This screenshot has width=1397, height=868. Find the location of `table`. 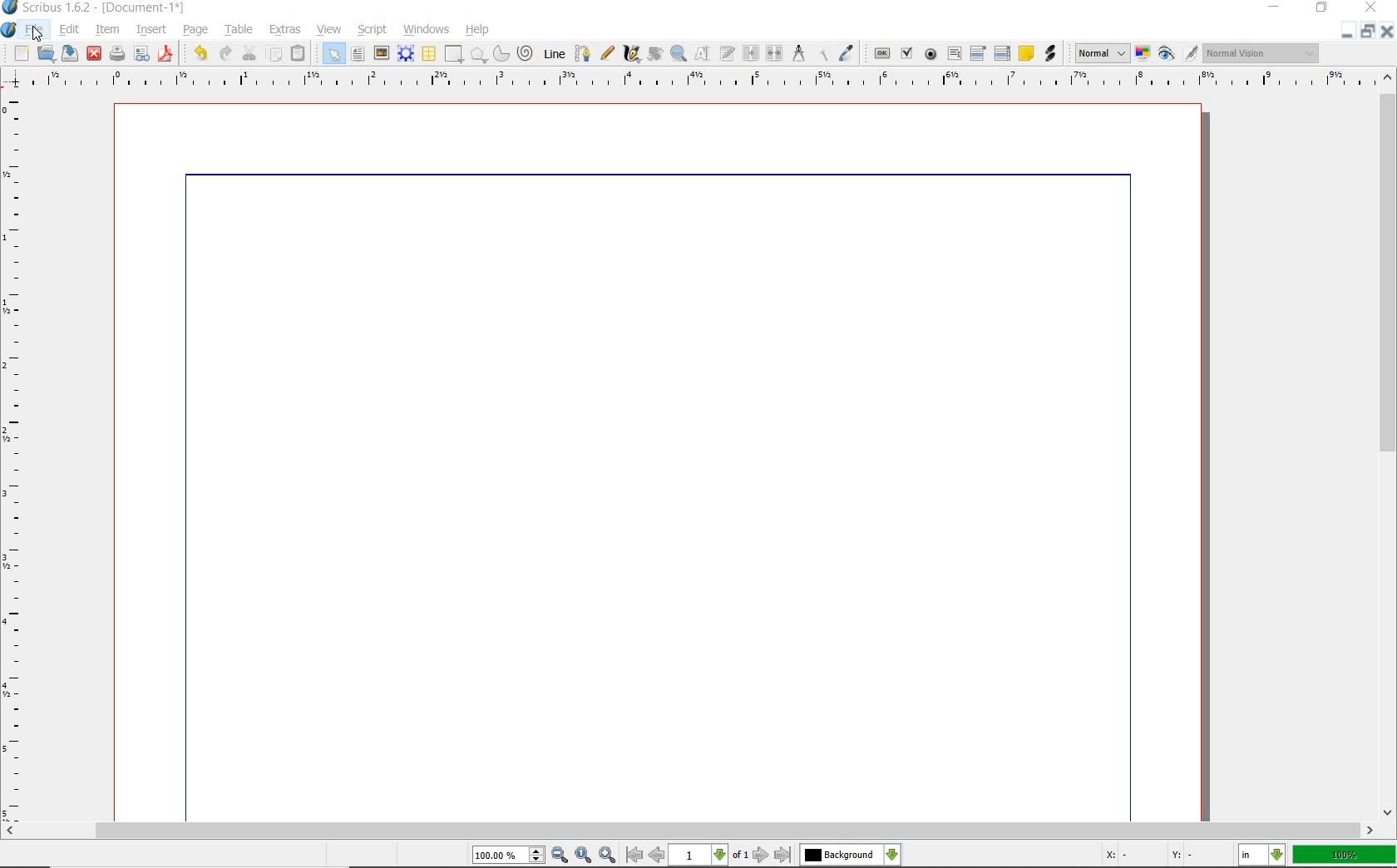

table is located at coordinates (428, 53).